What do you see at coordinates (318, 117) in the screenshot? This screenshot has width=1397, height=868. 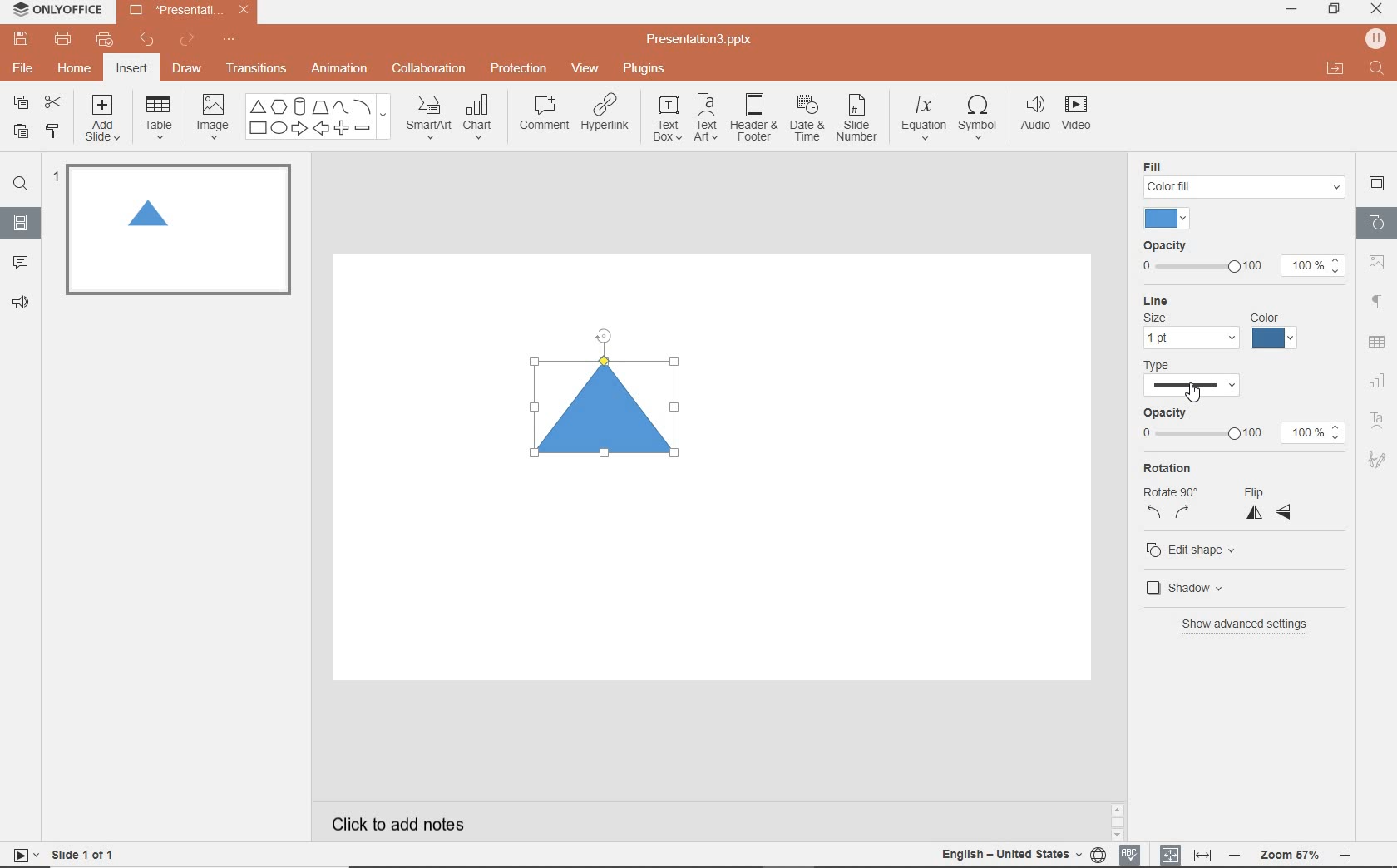 I see `SHAPES` at bounding box center [318, 117].